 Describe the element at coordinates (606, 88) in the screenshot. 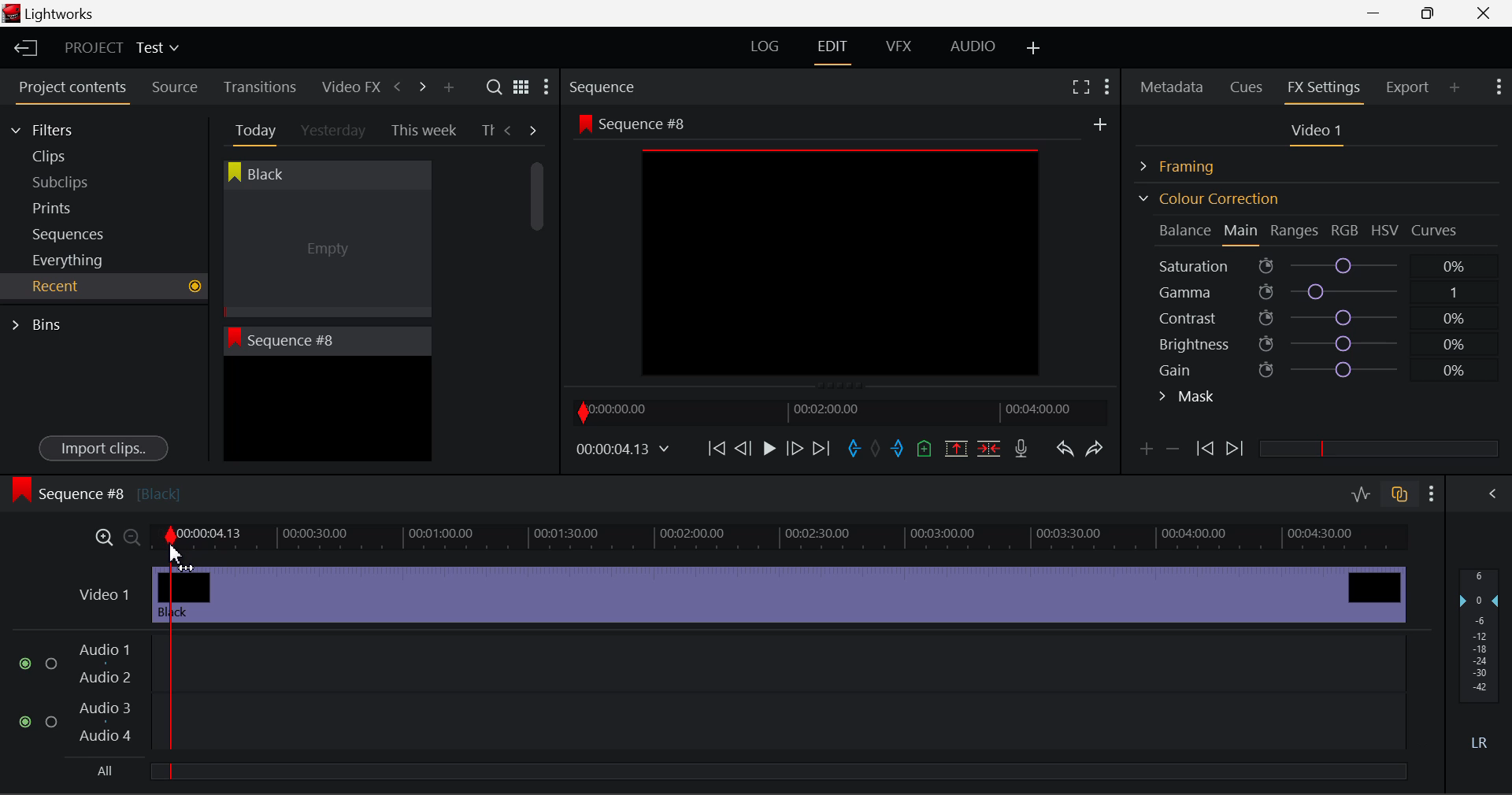

I see `Sequence Preview Section` at that location.